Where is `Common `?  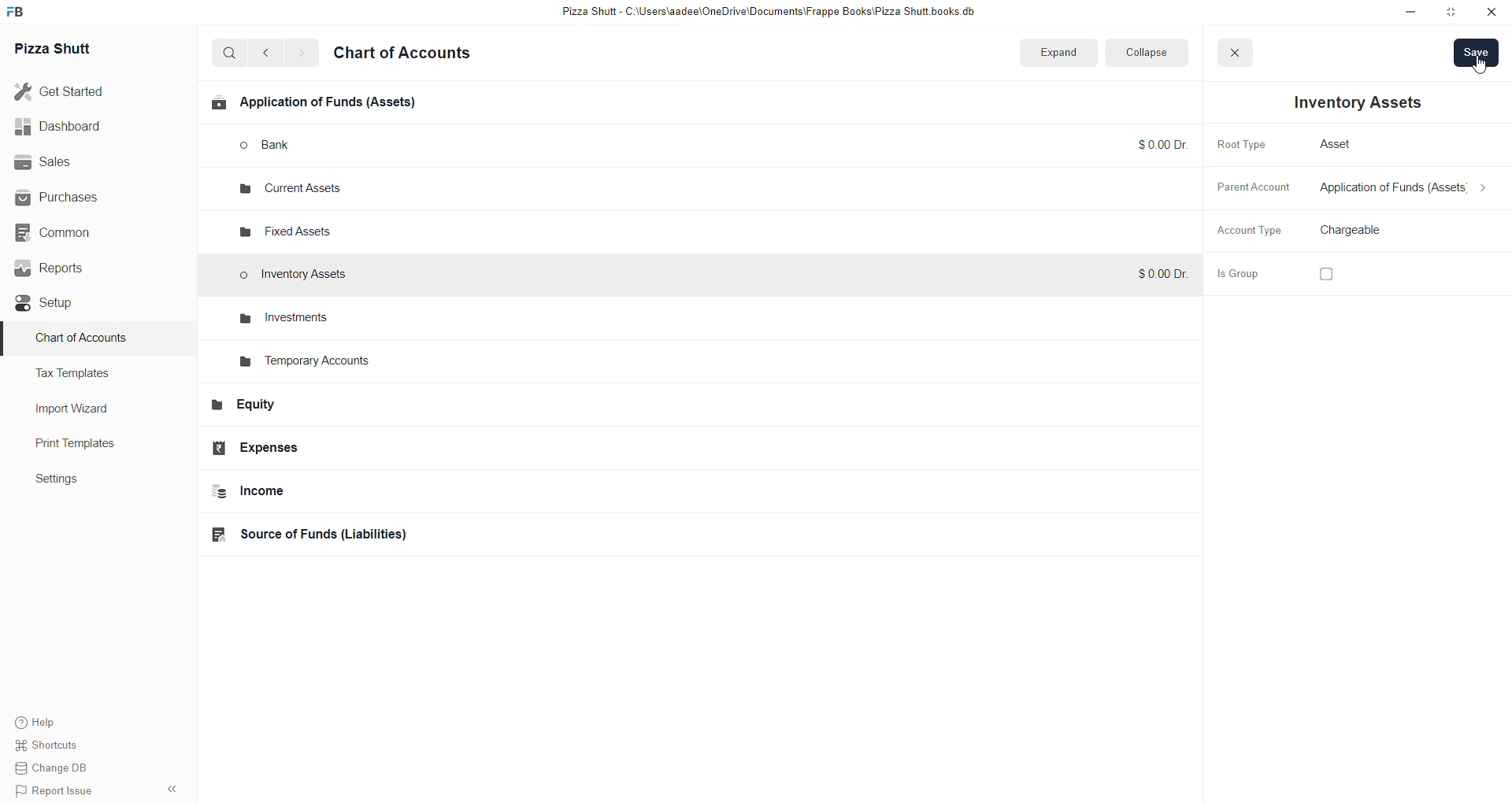 Common  is located at coordinates (67, 232).